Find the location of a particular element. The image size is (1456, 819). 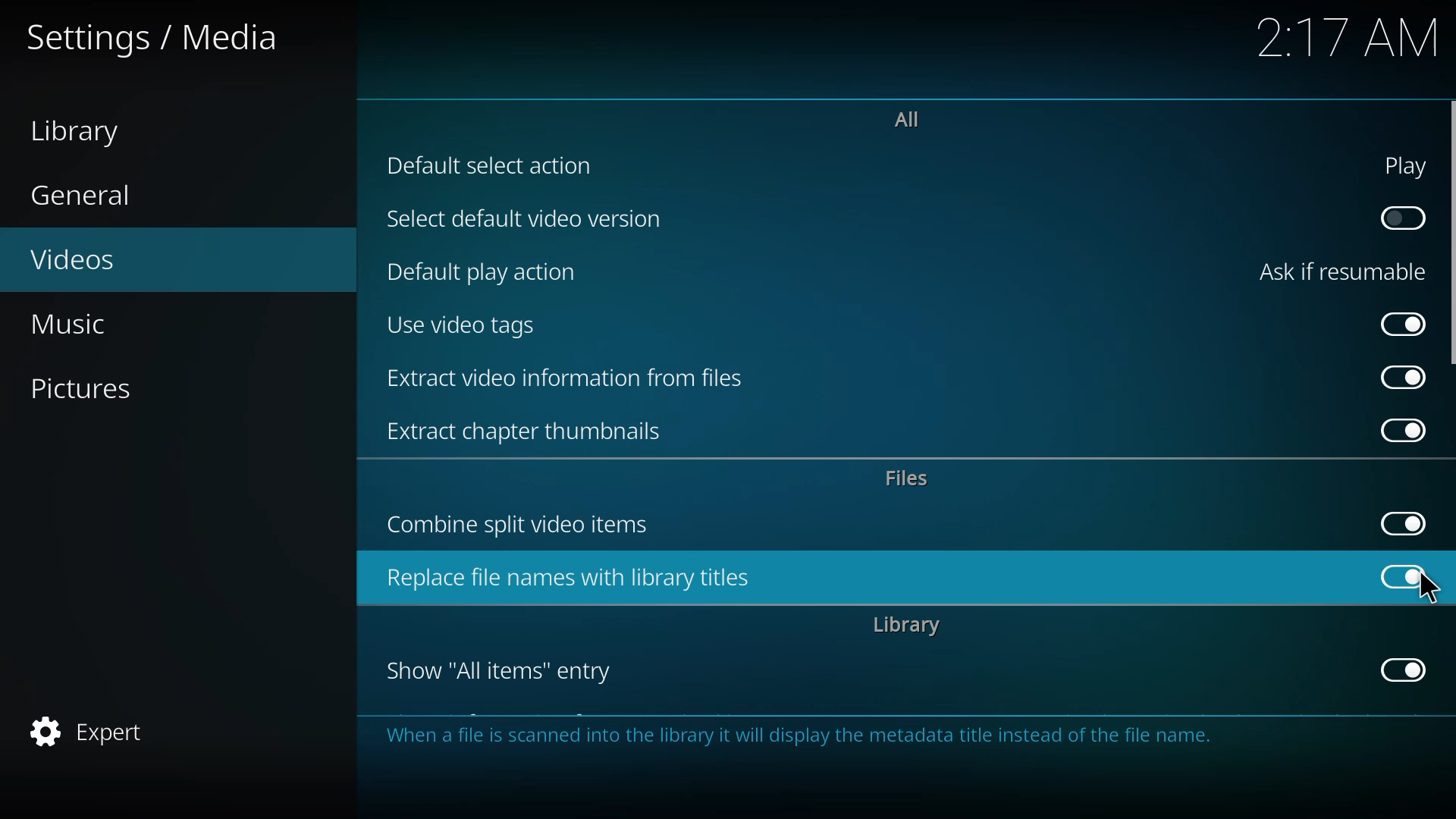

default selection is located at coordinates (498, 165).